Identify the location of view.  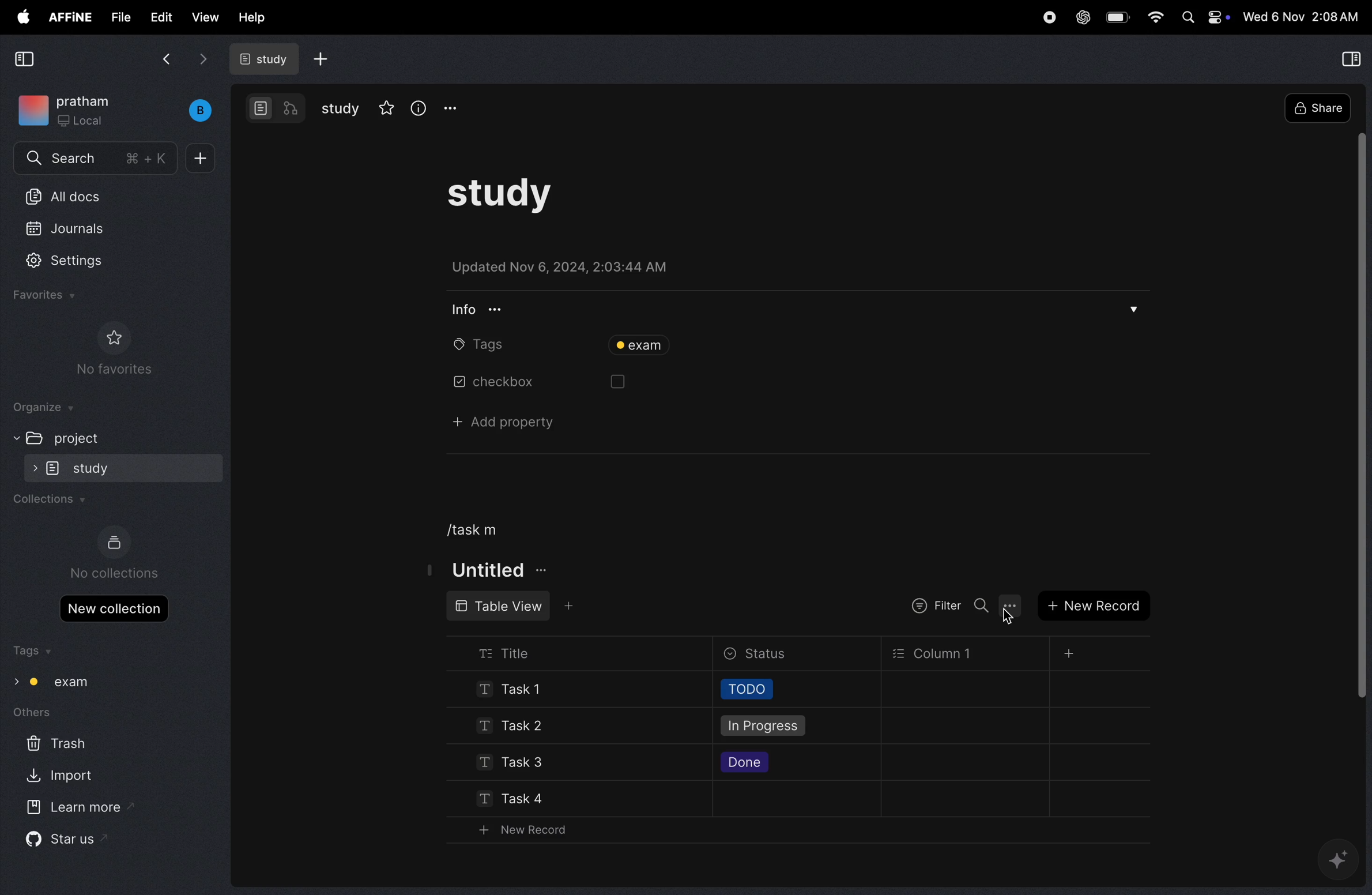
(205, 18).